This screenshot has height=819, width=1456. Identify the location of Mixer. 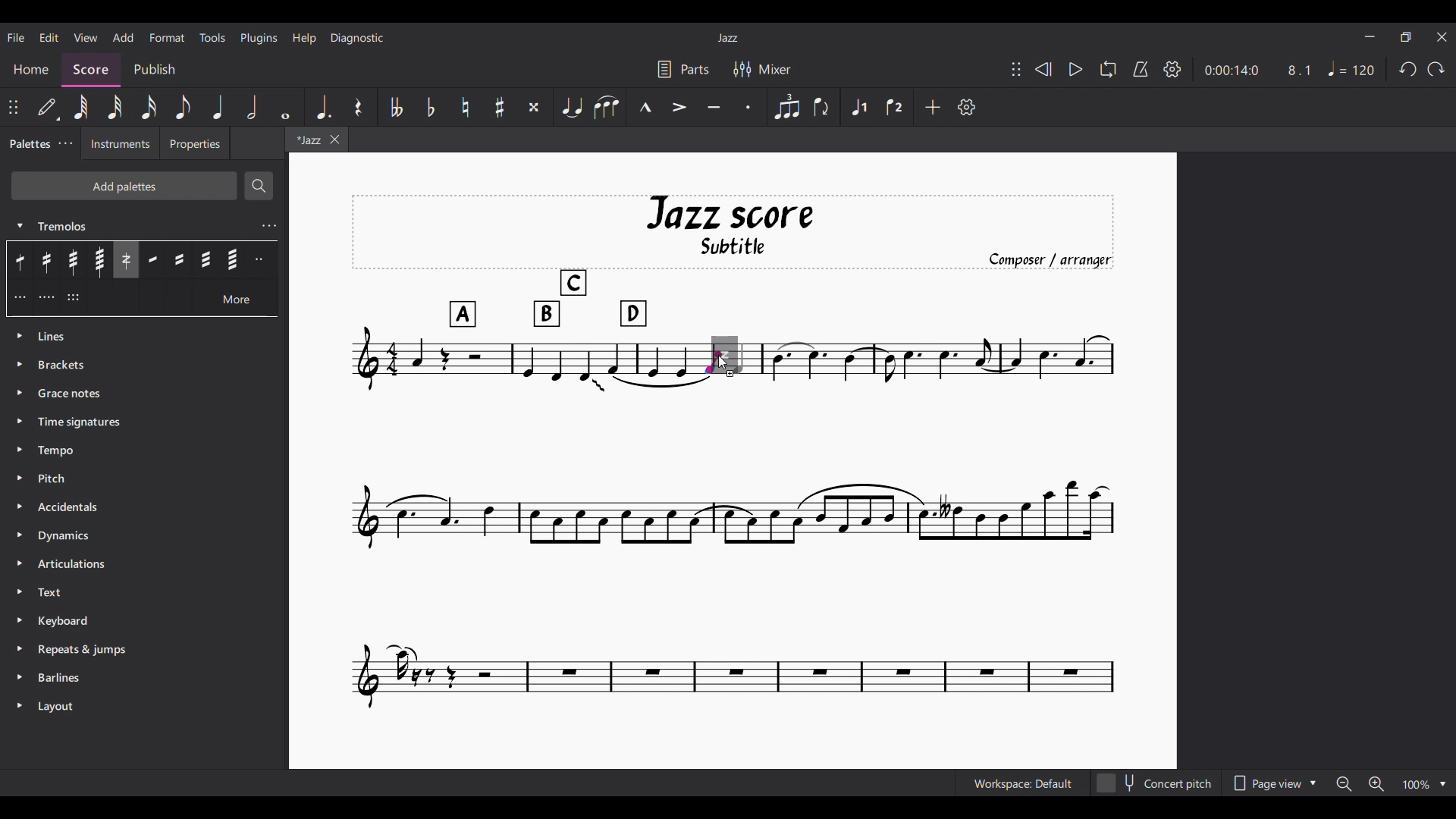
(762, 69).